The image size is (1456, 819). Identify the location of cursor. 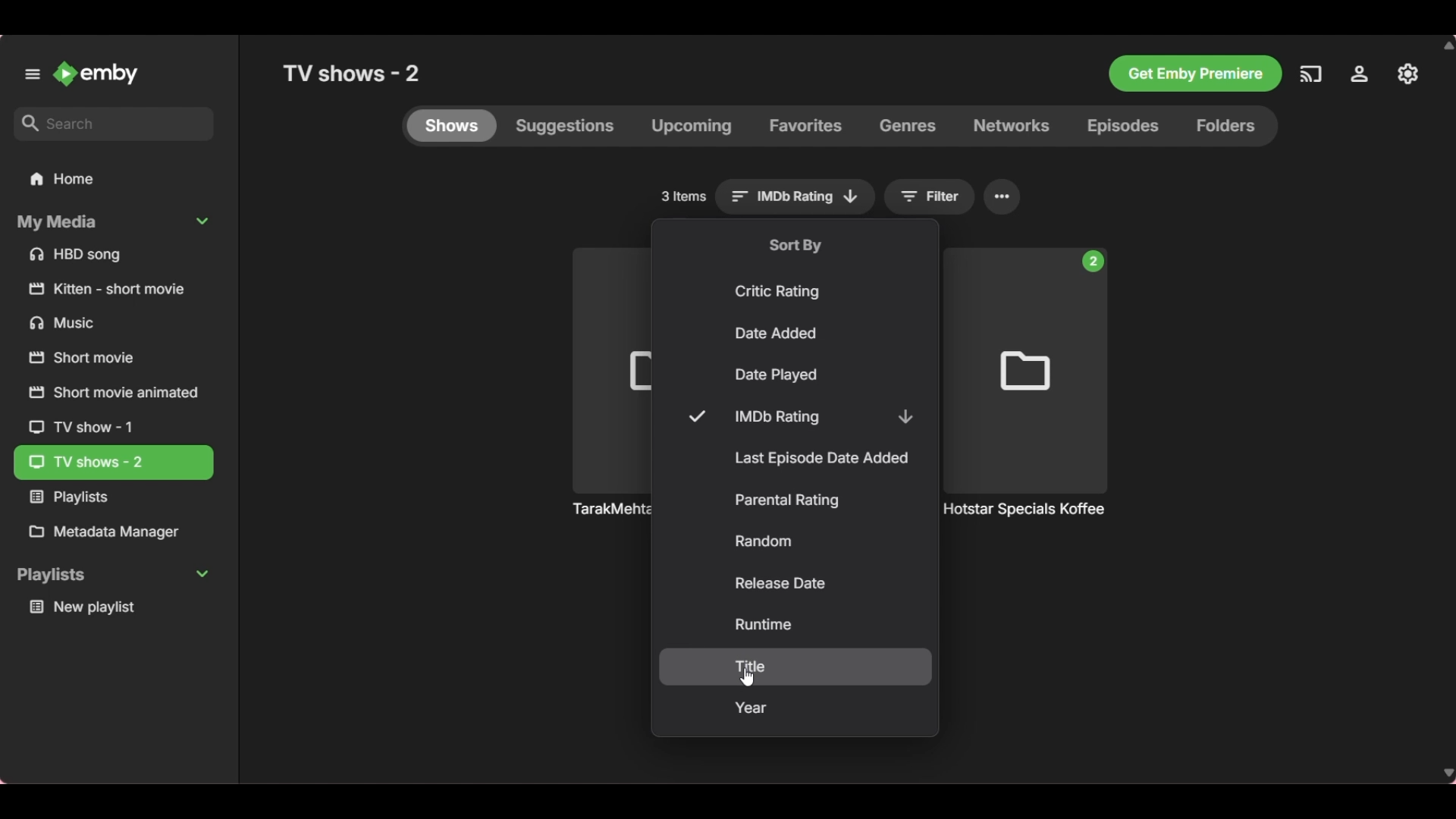
(748, 675).